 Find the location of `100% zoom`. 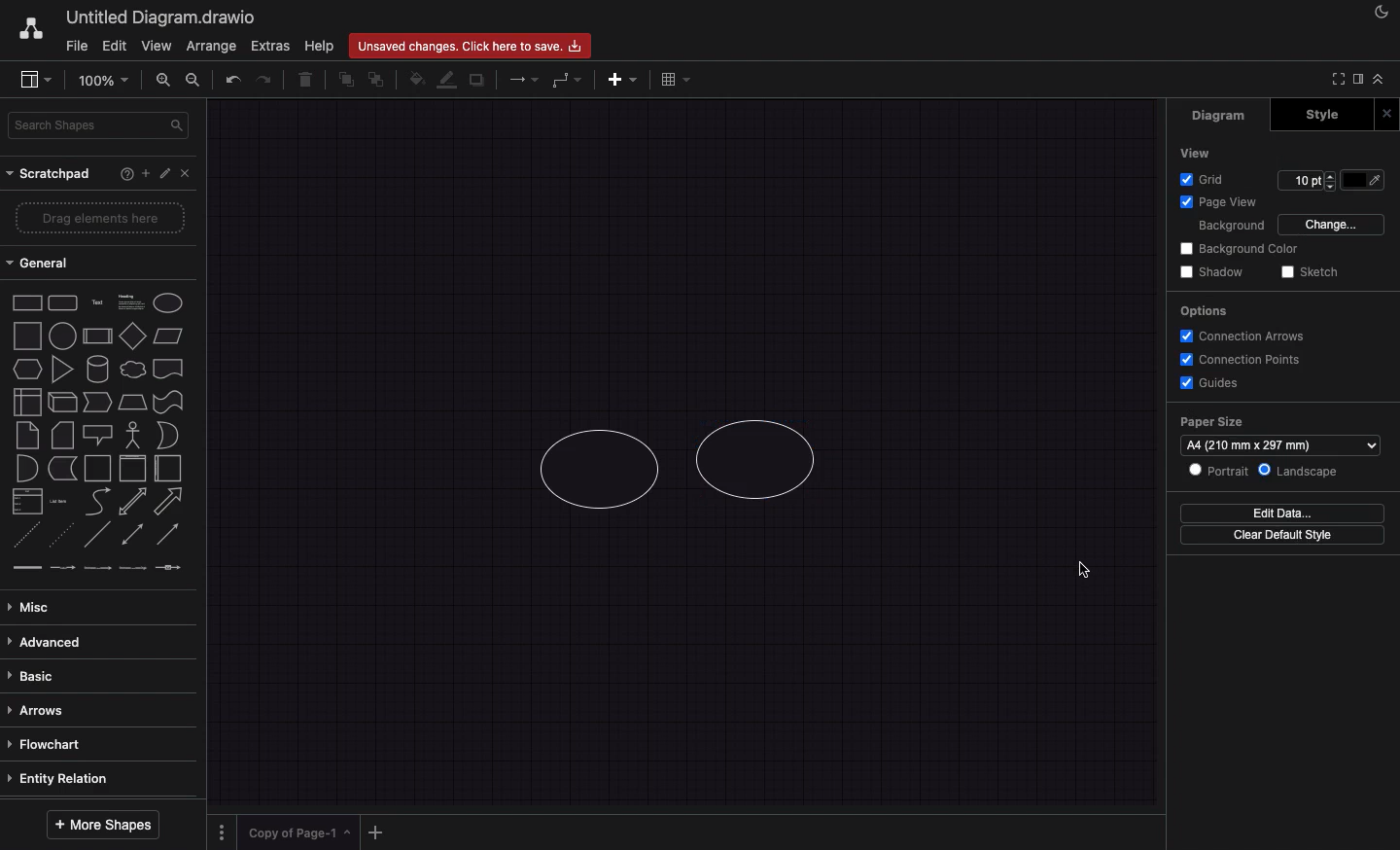

100% zoom is located at coordinates (101, 79).